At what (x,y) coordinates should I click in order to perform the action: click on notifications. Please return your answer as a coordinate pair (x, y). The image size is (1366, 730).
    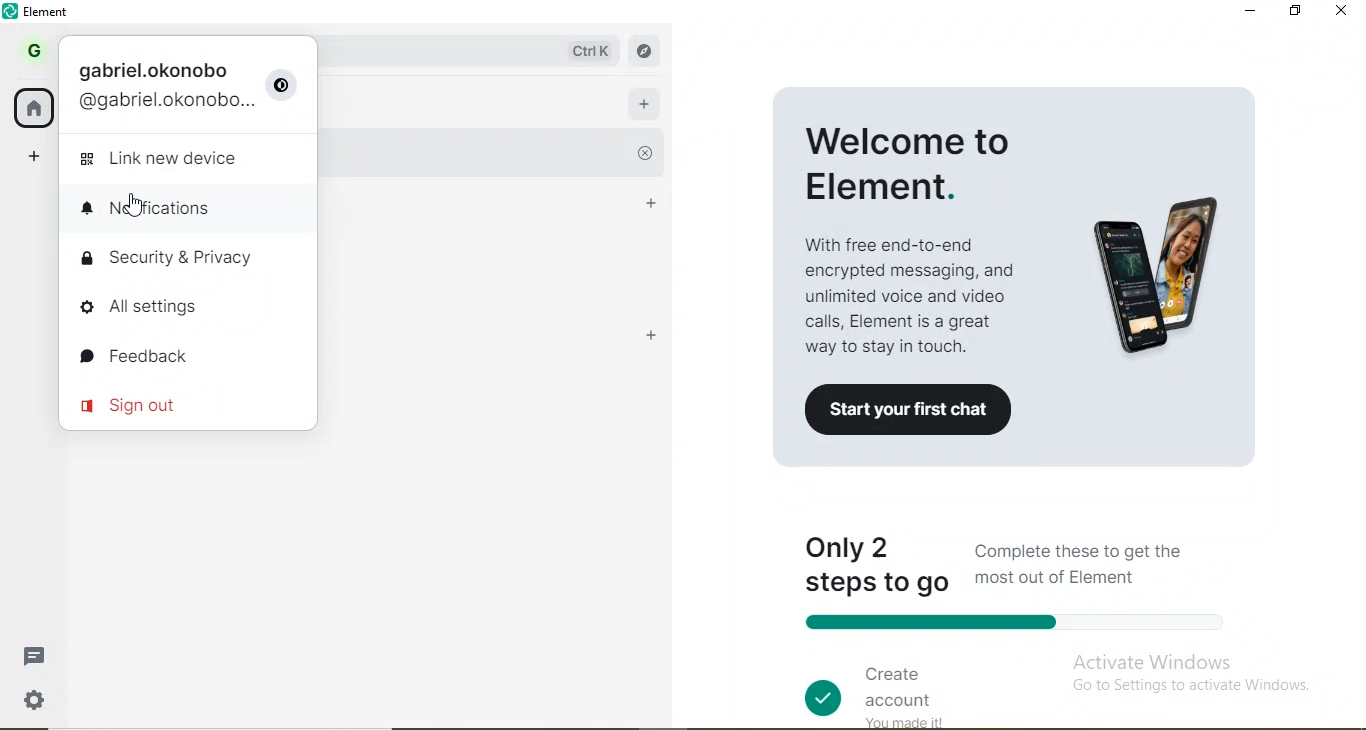
    Looking at the image, I should click on (191, 210).